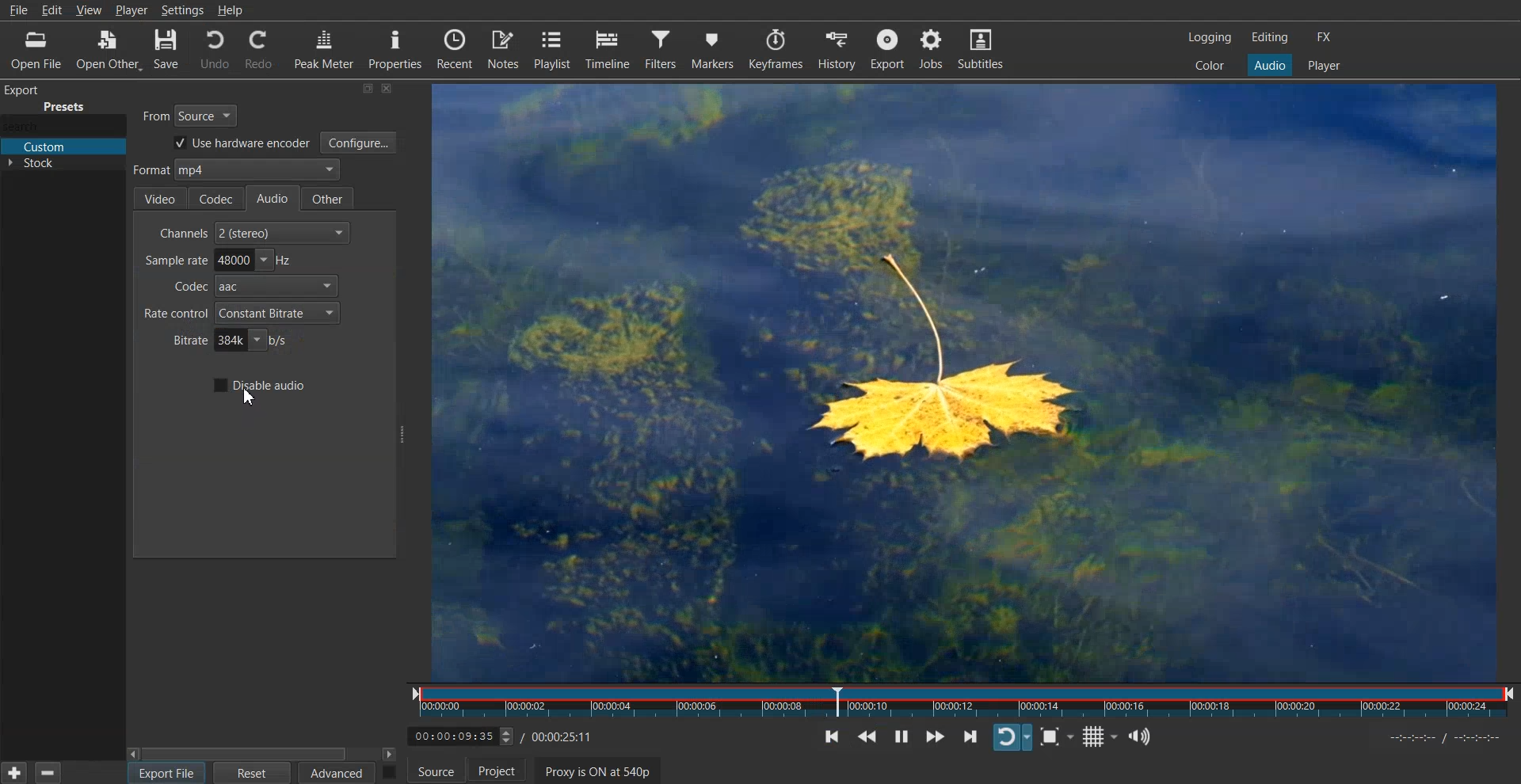  What do you see at coordinates (250, 287) in the screenshot?
I see `Codec` at bounding box center [250, 287].